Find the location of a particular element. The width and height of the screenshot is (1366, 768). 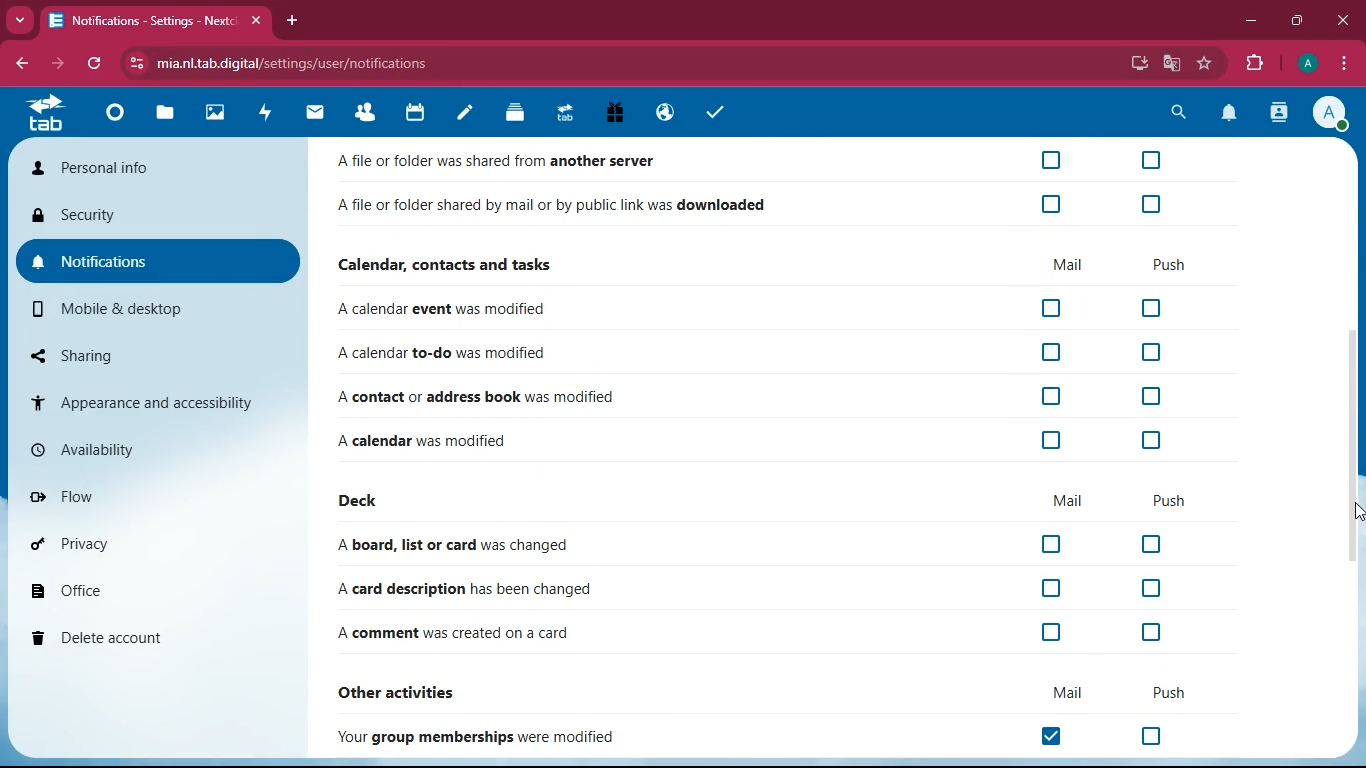

search is located at coordinates (1174, 113).